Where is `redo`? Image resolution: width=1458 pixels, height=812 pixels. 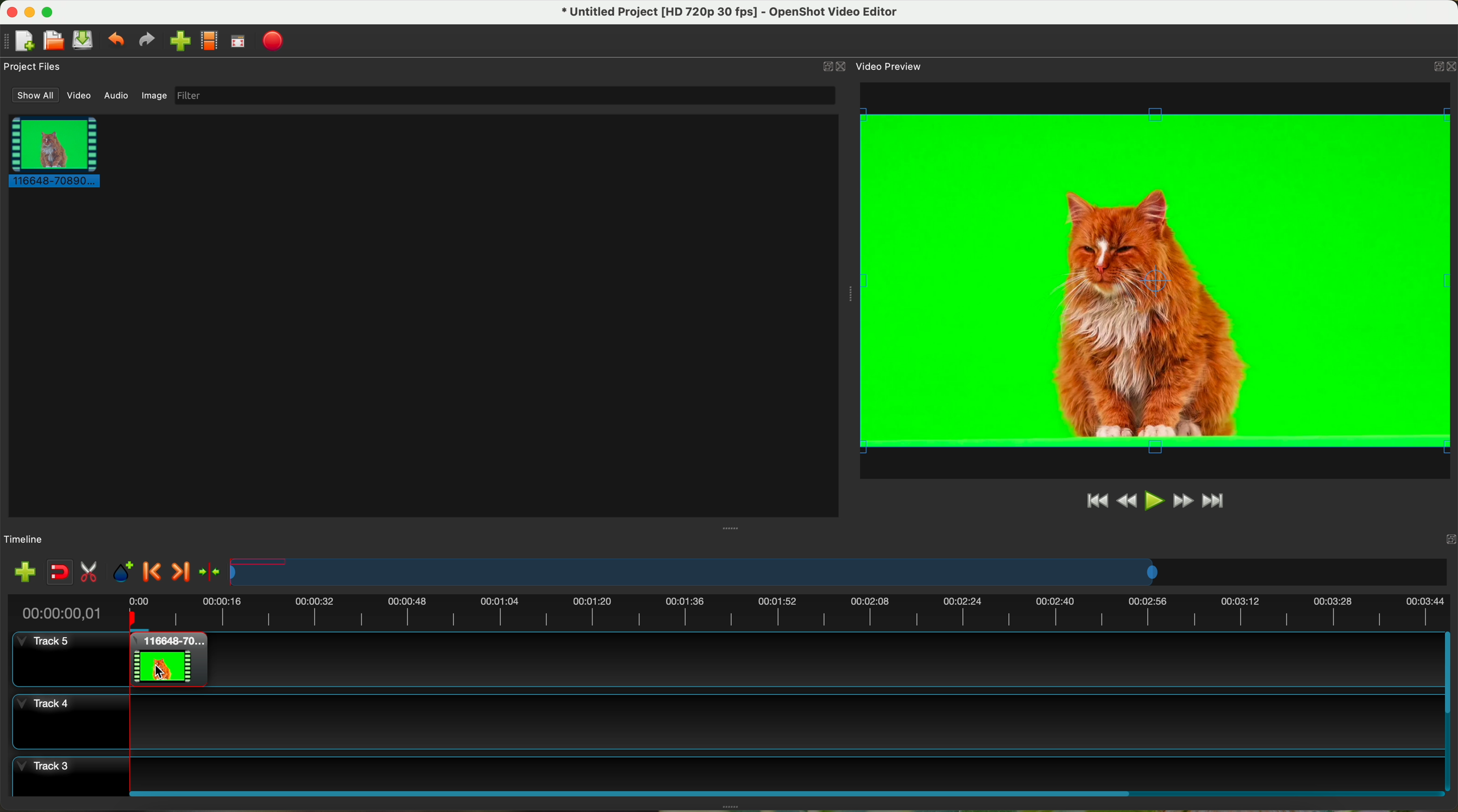
redo is located at coordinates (146, 40).